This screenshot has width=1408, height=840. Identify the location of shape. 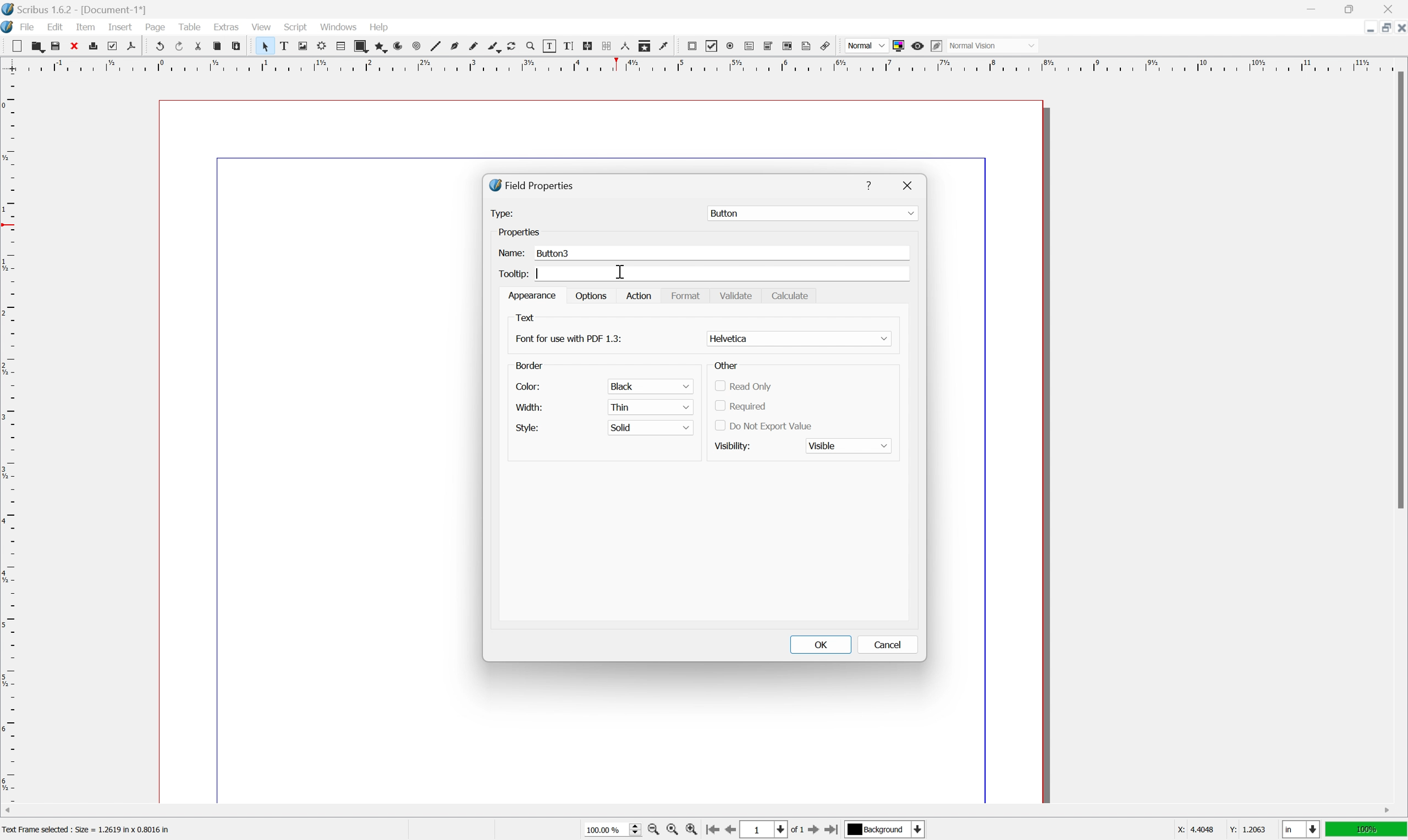
(360, 46).